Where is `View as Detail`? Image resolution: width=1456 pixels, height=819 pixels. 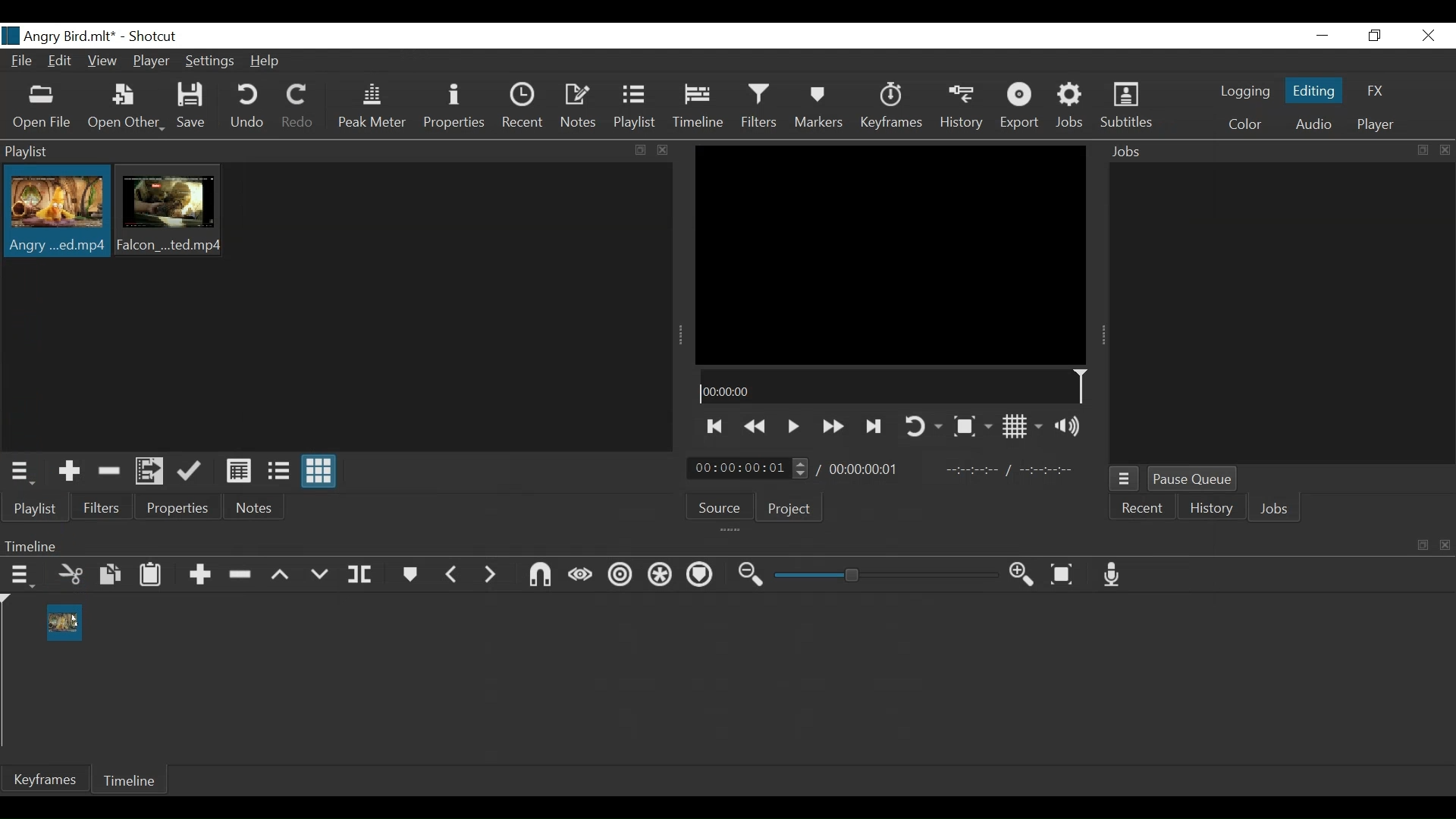
View as Detail is located at coordinates (238, 471).